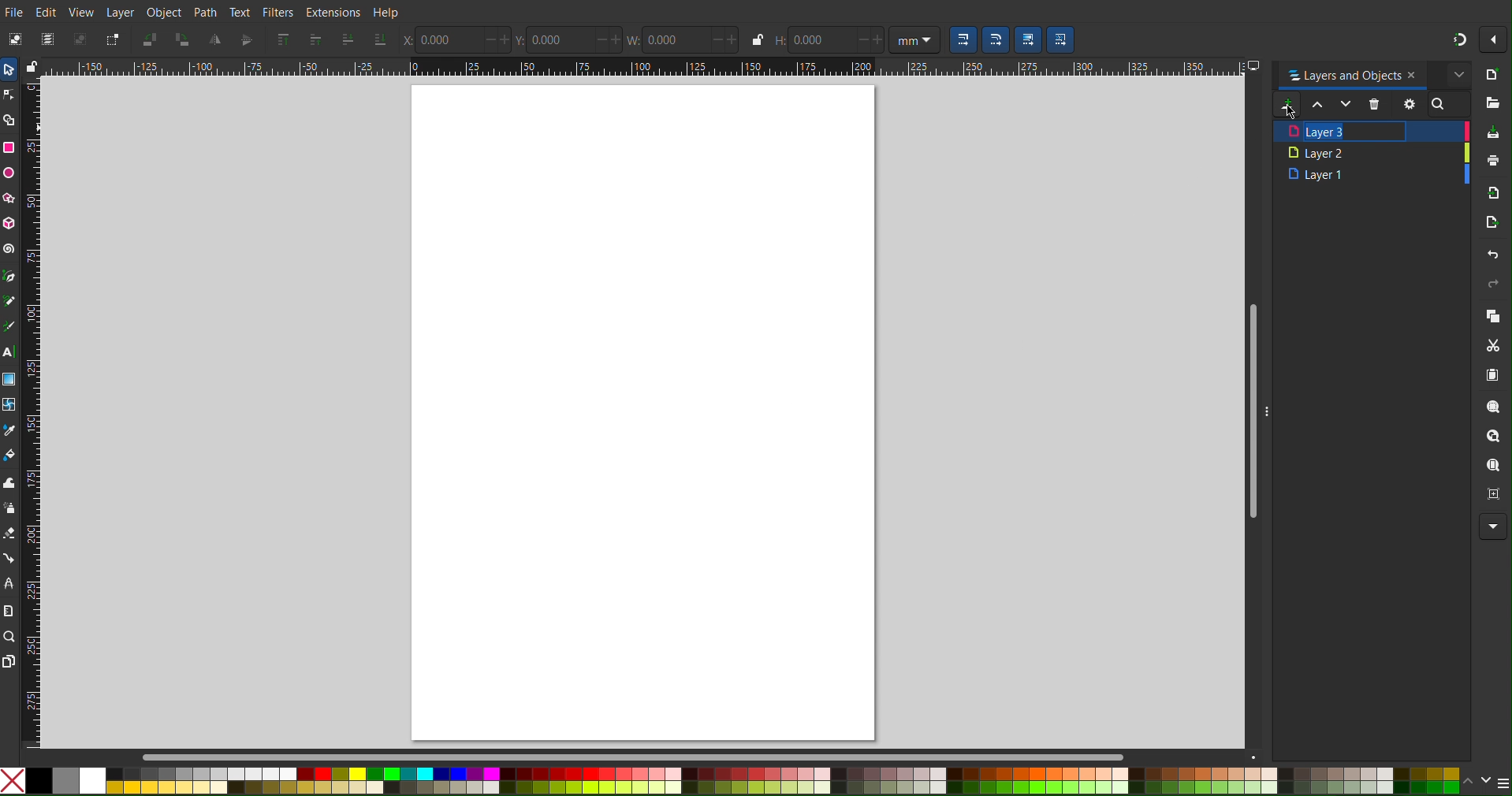 The width and height of the screenshot is (1512, 796). Describe the element at coordinates (828, 40) in the screenshot. I see `Height` at that location.